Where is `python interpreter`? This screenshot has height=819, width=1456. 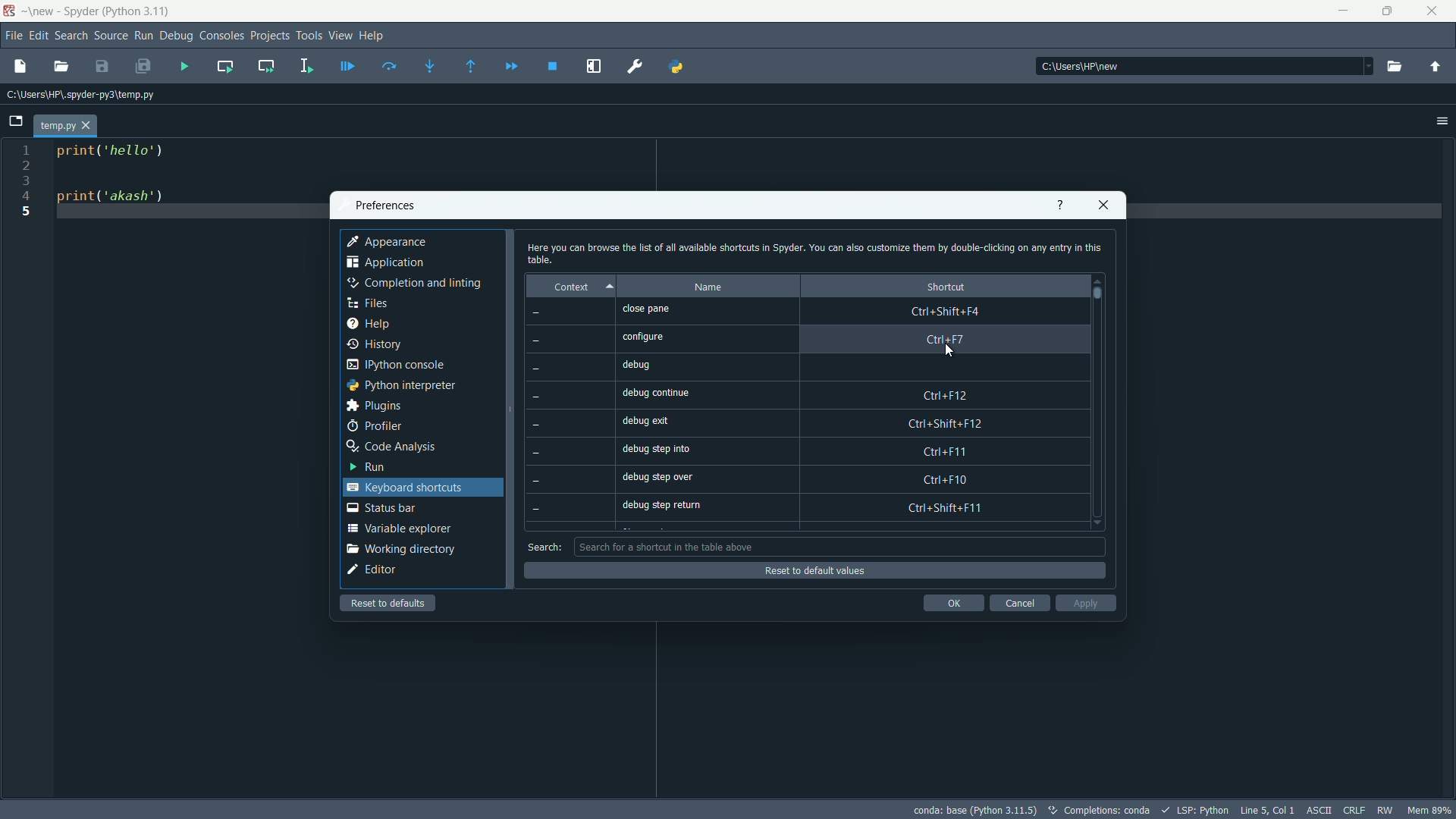 python interpreter is located at coordinates (400, 385).